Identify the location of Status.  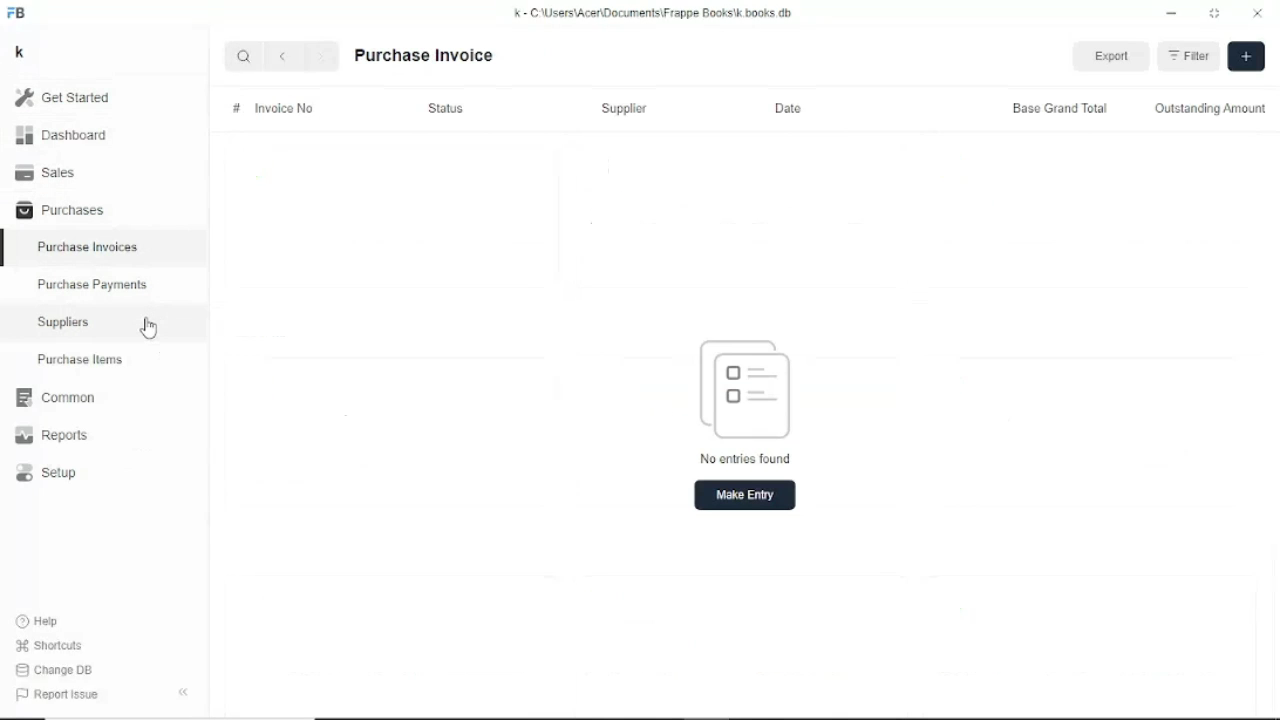
(446, 108).